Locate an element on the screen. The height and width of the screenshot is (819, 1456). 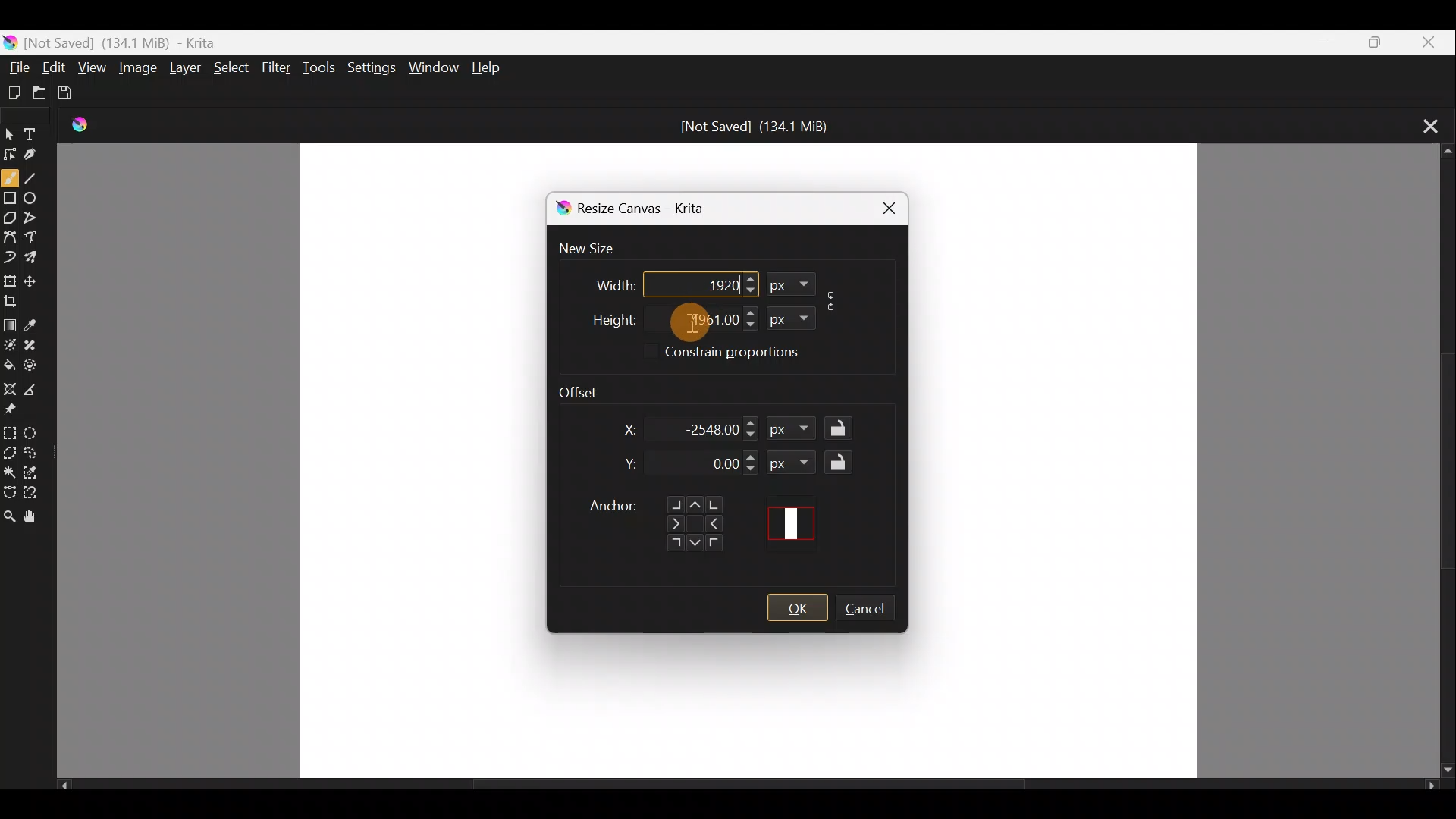
Freehand brush tool is located at coordinates (10, 177).